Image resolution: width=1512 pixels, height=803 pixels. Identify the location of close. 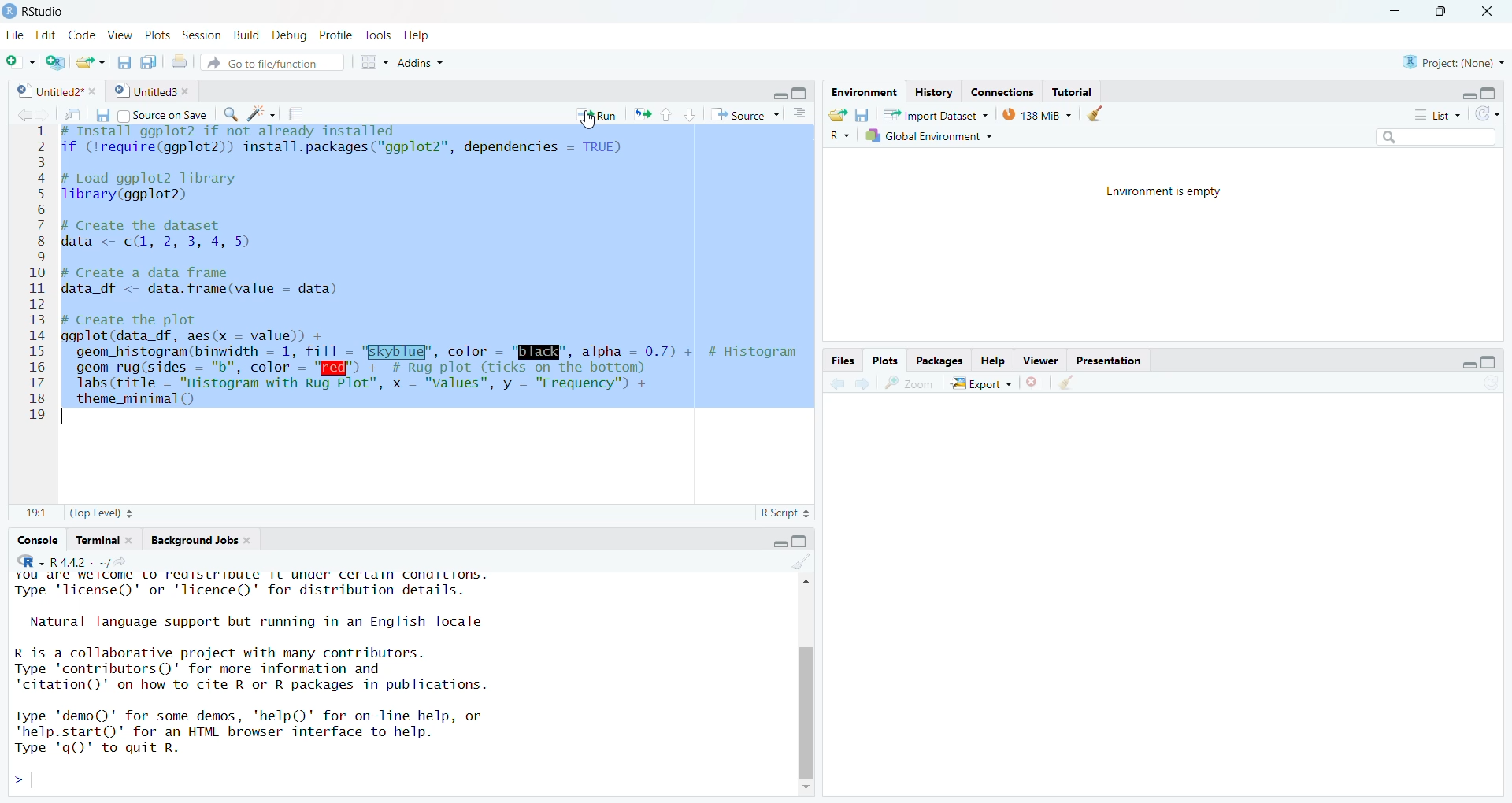
(1489, 13).